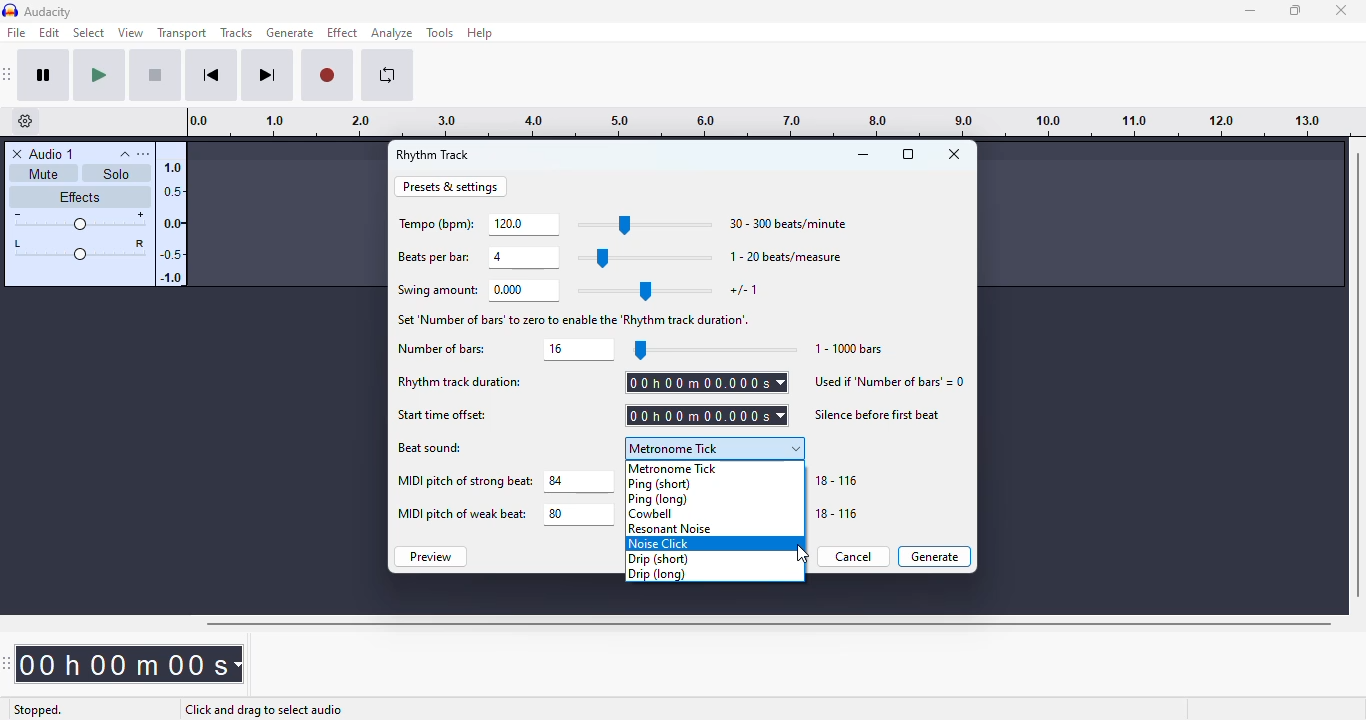 This screenshot has width=1366, height=720. Describe the element at coordinates (264, 709) in the screenshot. I see `click and drag to select audio` at that location.